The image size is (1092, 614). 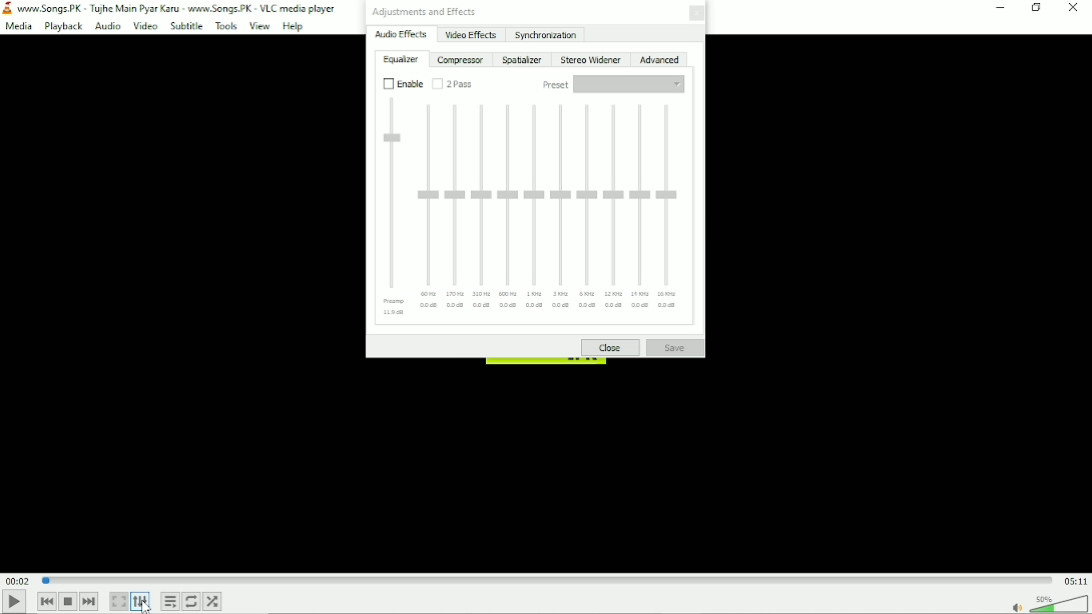 What do you see at coordinates (656, 59) in the screenshot?
I see `Advanced` at bounding box center [656, 59].